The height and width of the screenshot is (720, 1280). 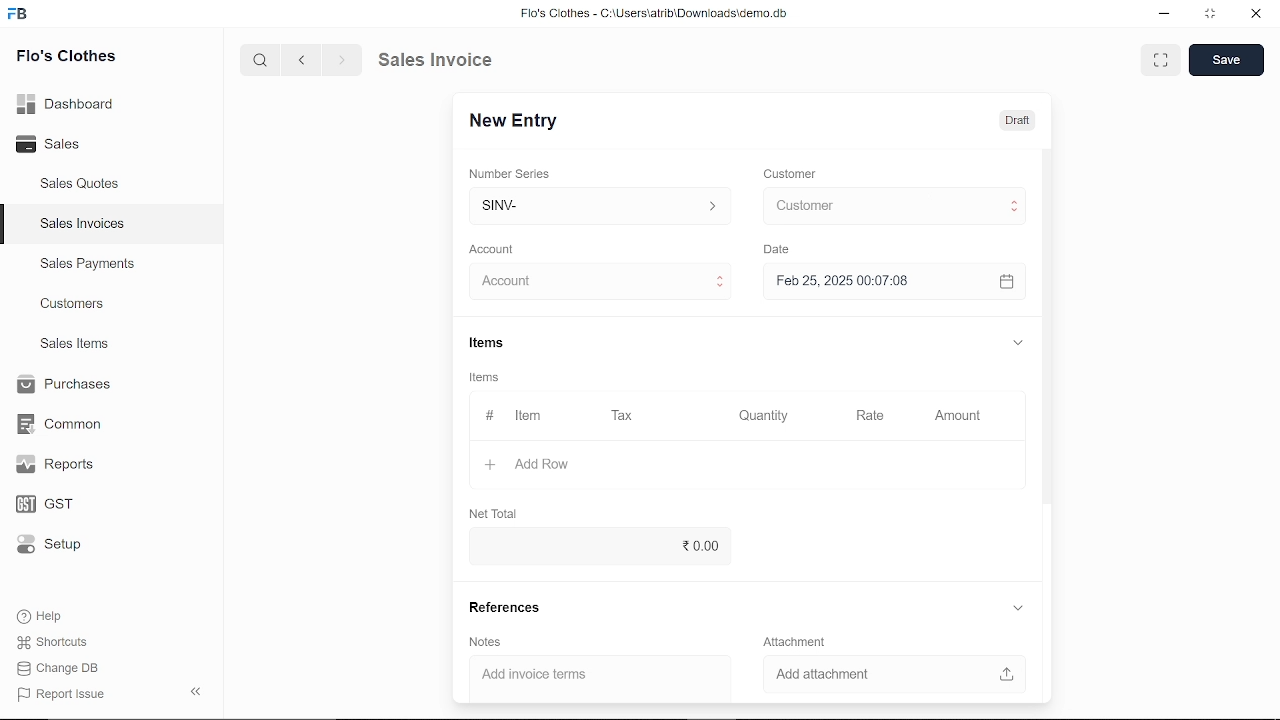 I want to click on Attachment, so click(x=798, y=642).